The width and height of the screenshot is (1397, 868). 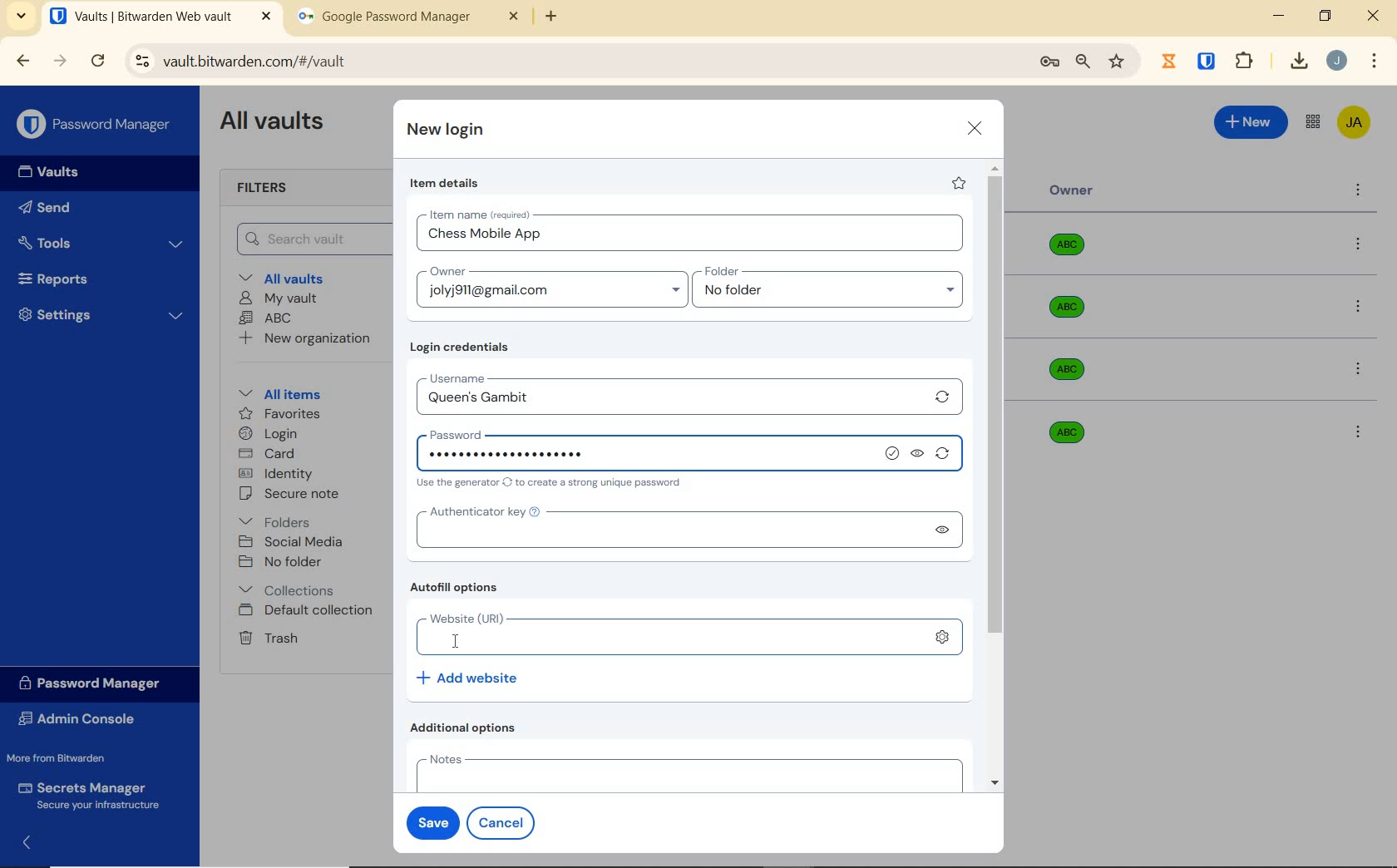 What do you see at coordinates (86, 796) in the screenshot?
I see `Secrets Manager` at bounding box center [86, 796].